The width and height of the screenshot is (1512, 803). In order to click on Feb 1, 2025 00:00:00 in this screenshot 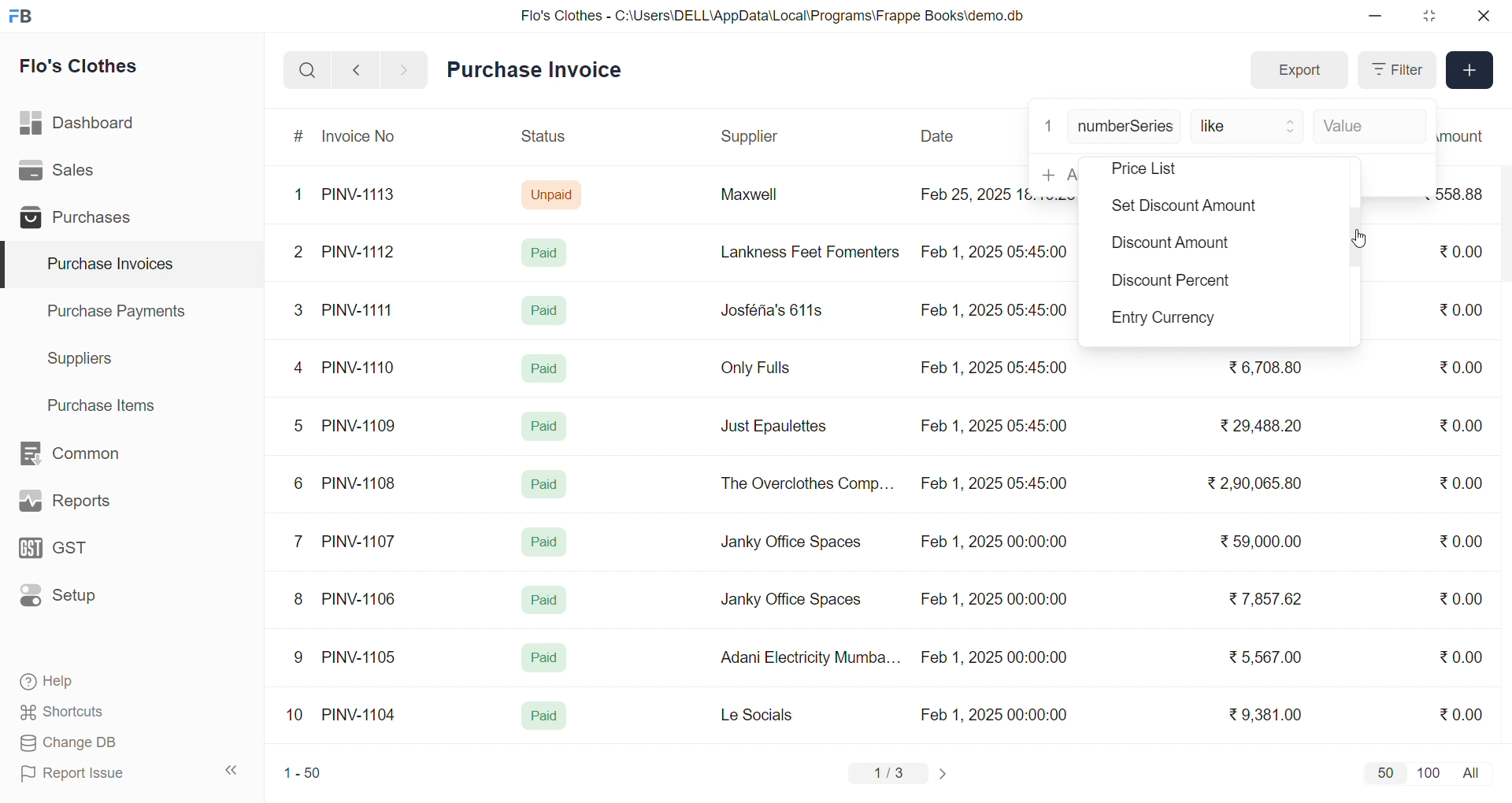, I will do `click(996, 714)`.